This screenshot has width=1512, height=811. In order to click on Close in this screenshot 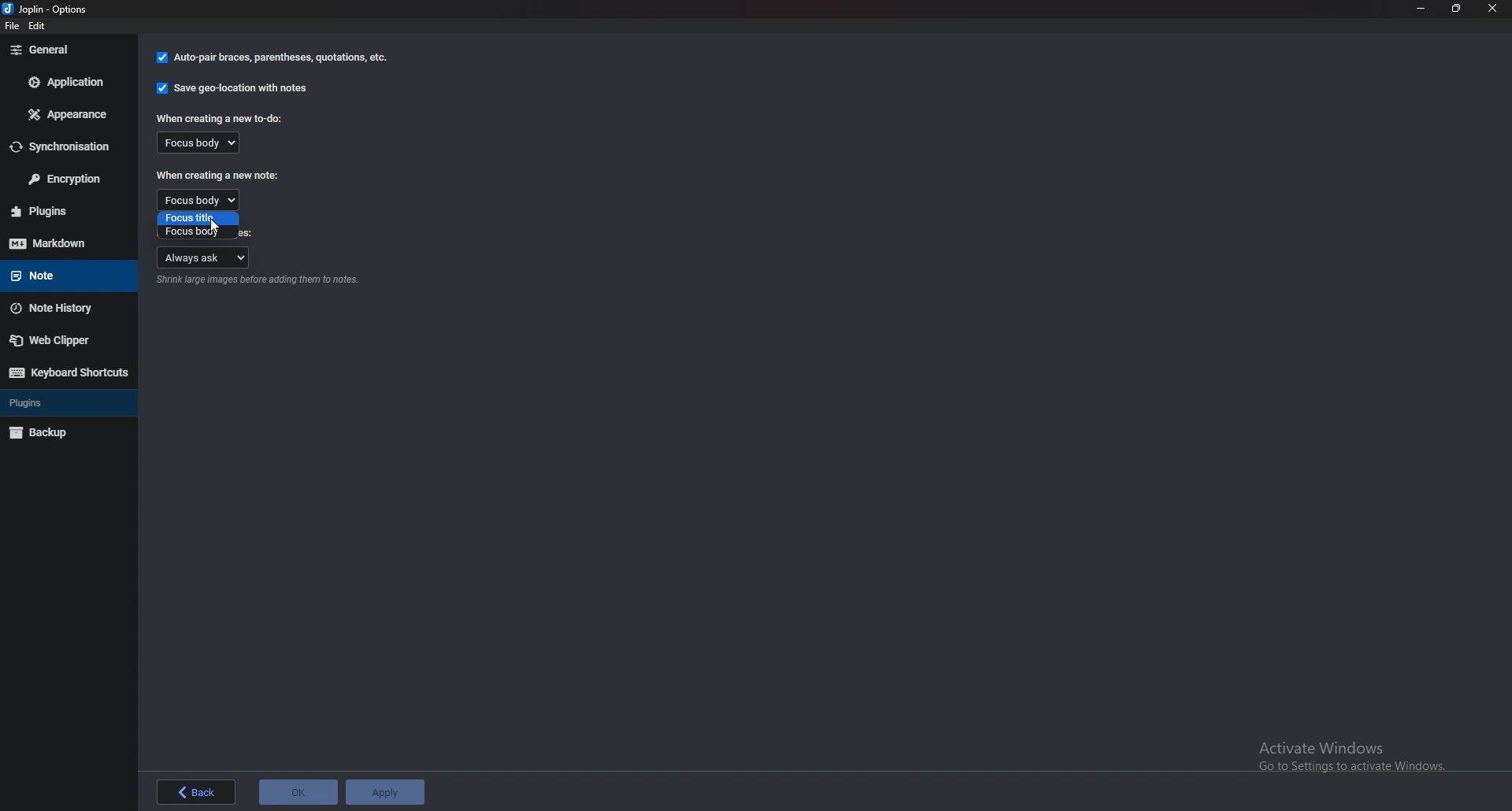, I will do `click(1492, 8)`.